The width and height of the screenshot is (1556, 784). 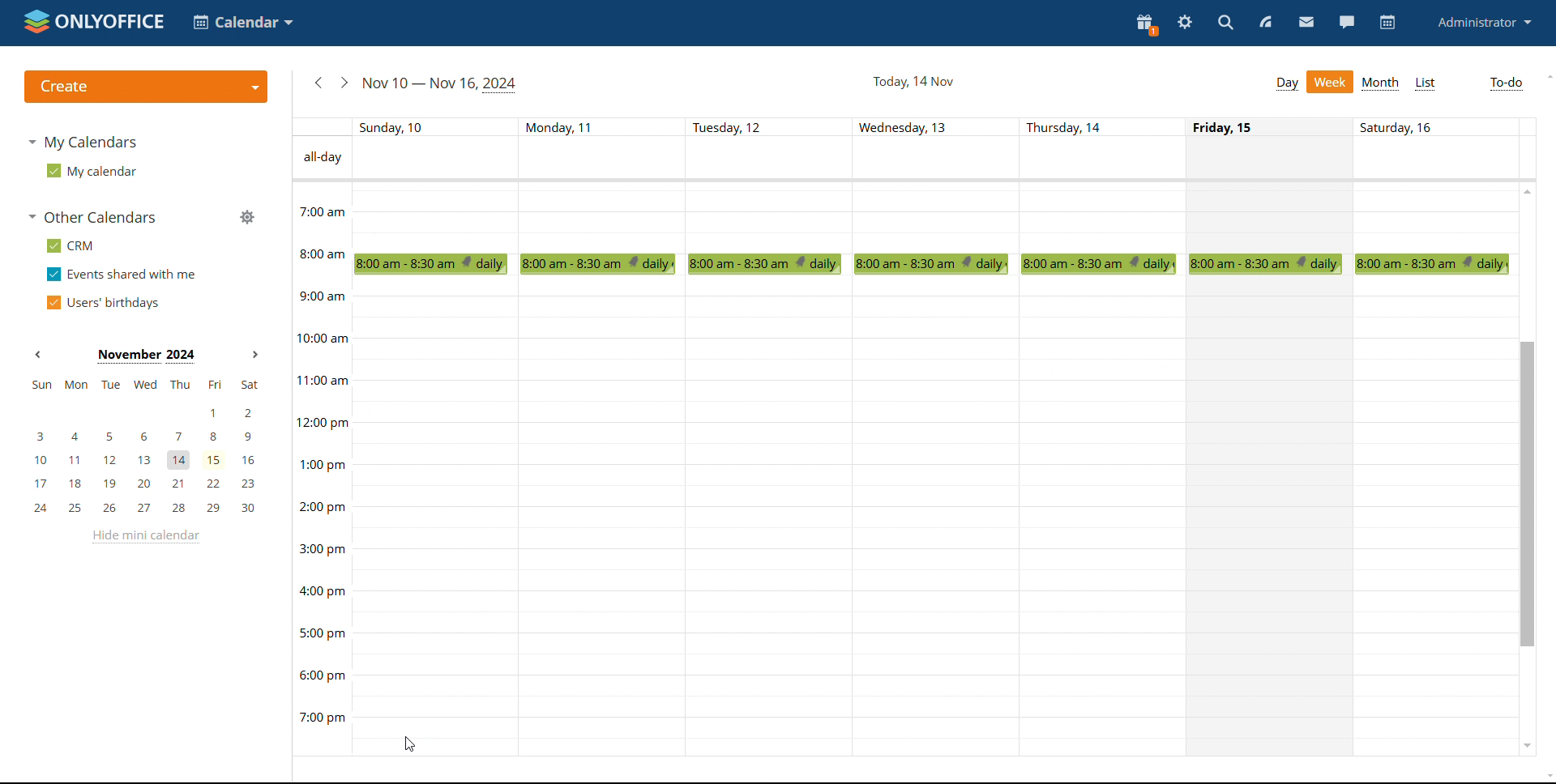 What do you see at coordinates (913, 83) in the screenshot?
I see `current date` at bounding box center [913, 83].